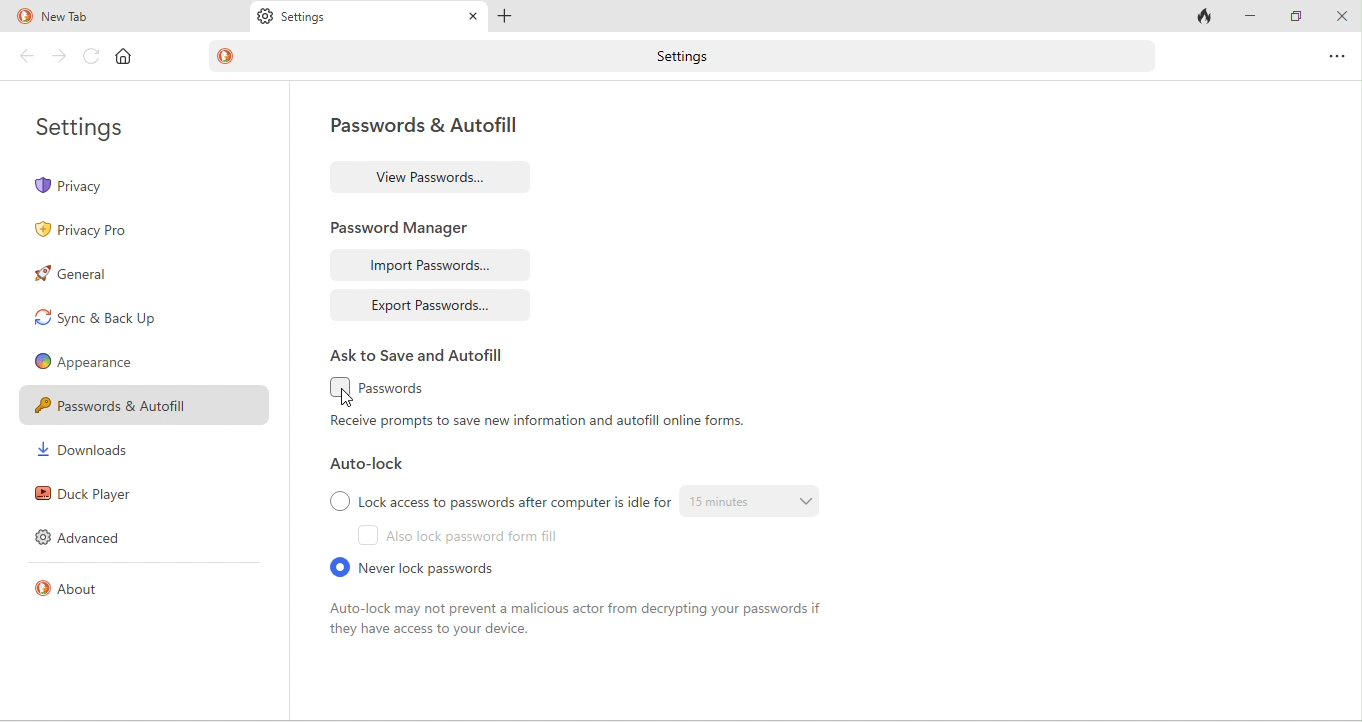 The height and width of the screenshot is (722, 1362). What do you see at coordinates (761, 503) in the screenshot?
I see `15 minutes` at bounding box center [761, 503].